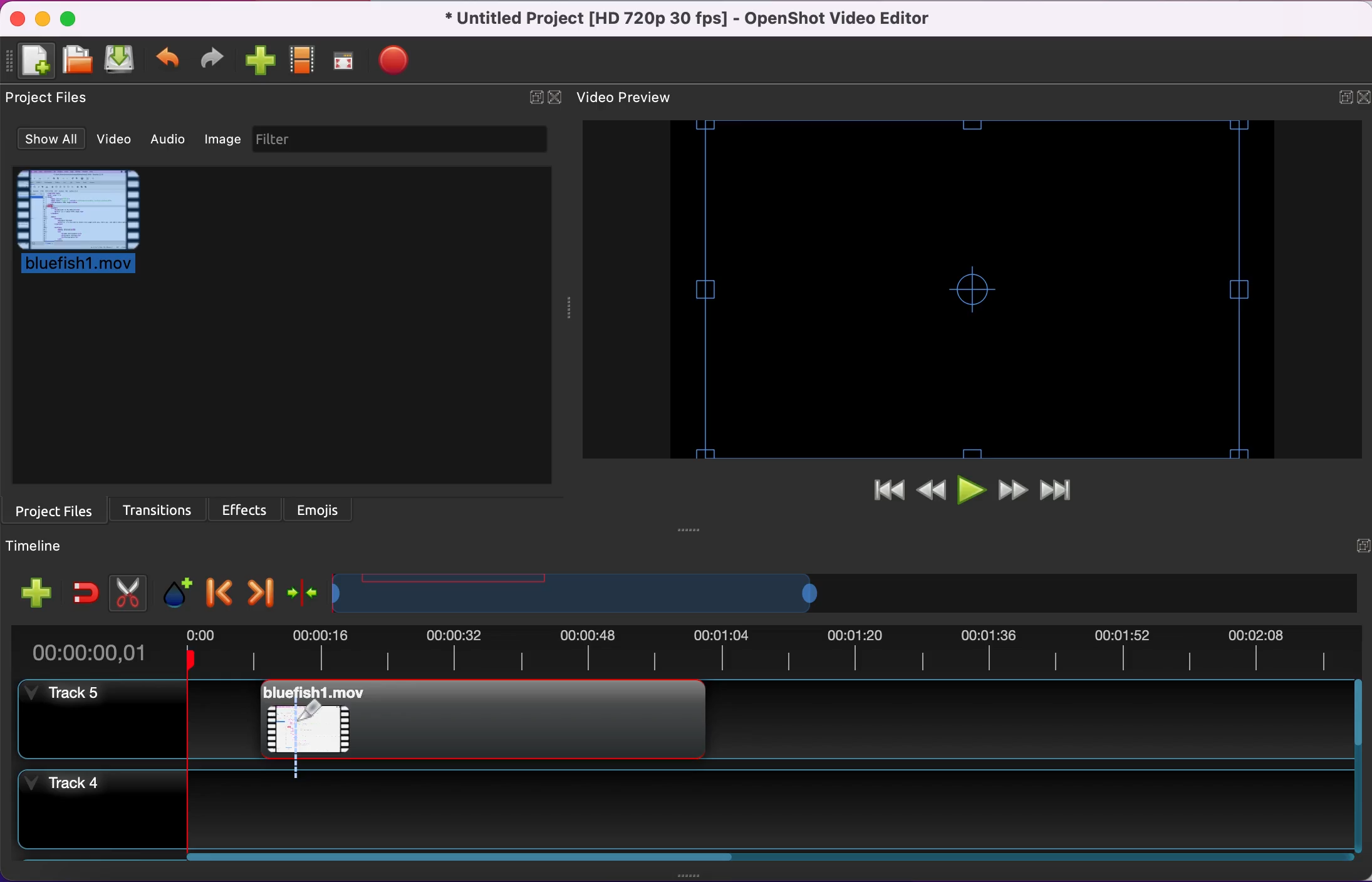  What do you see at coordinates (534, 96) in the screenshot?
I see `expand/hide` at bounding box center [534, 96].